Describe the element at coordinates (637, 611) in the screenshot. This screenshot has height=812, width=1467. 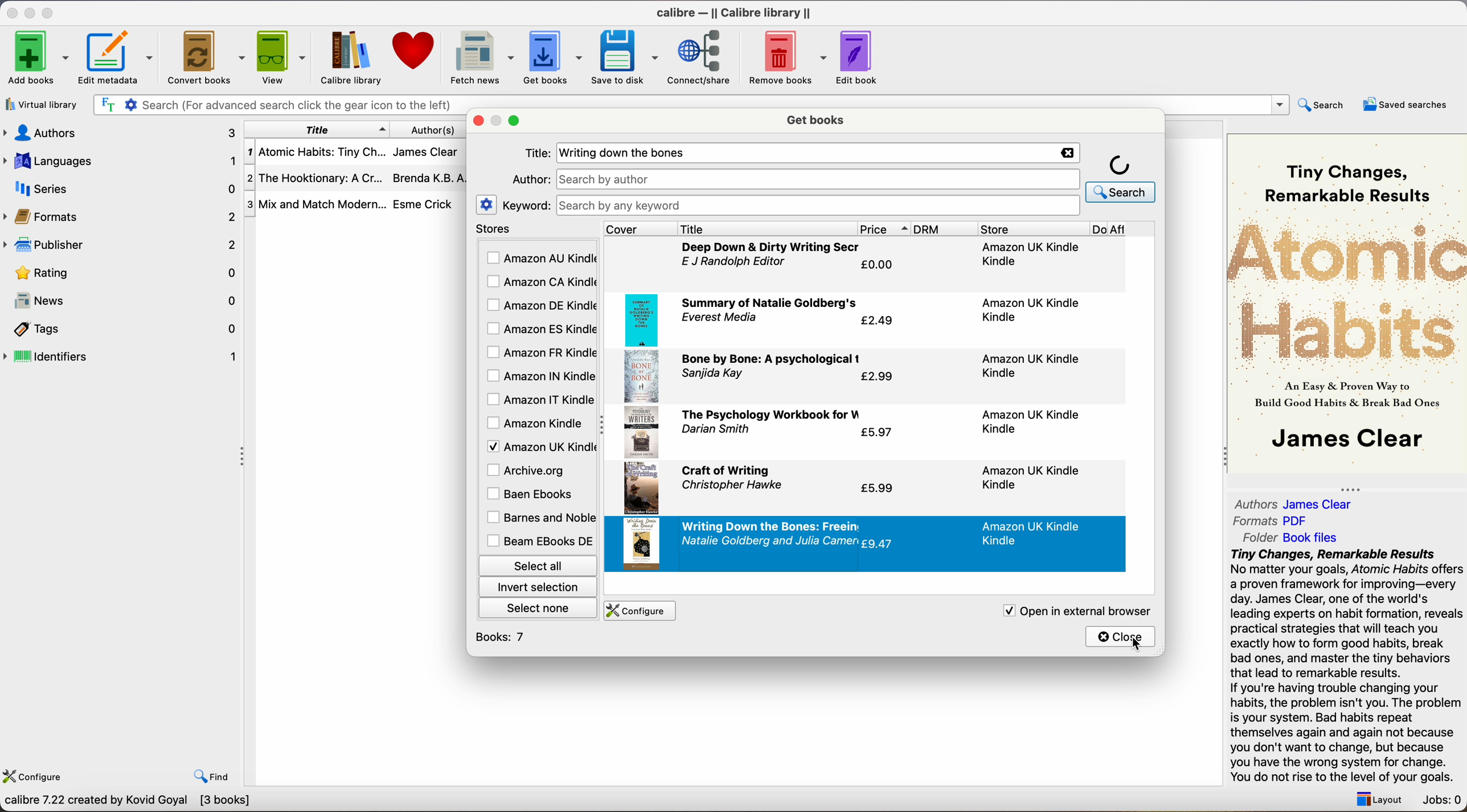
I see `configure` at that location.